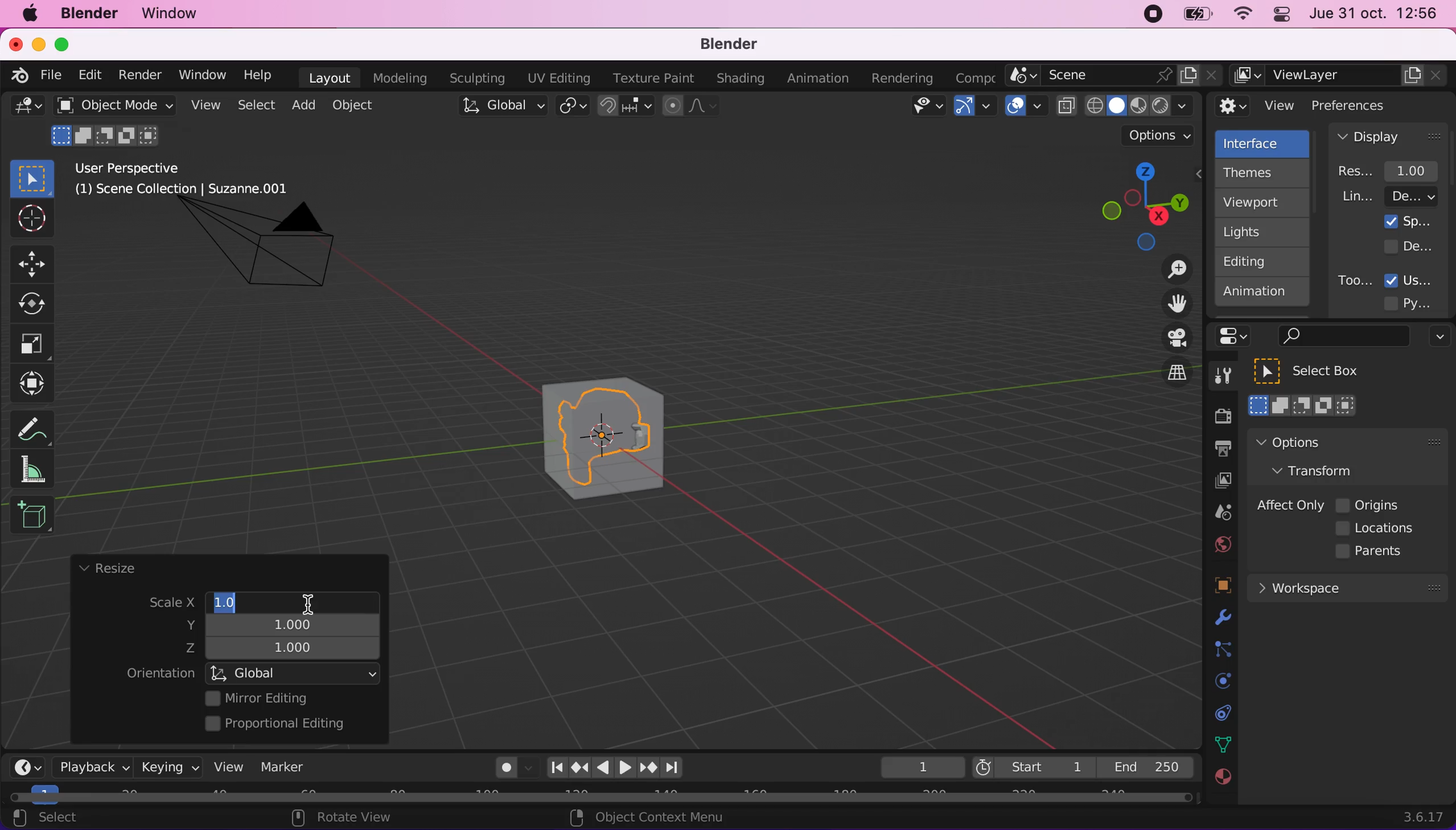 The width and height of the screenshot is (1456, 830). What do you see at coordinates (605, 433) in the screenshot?
I see `cube` at bounding box center [605, 433].